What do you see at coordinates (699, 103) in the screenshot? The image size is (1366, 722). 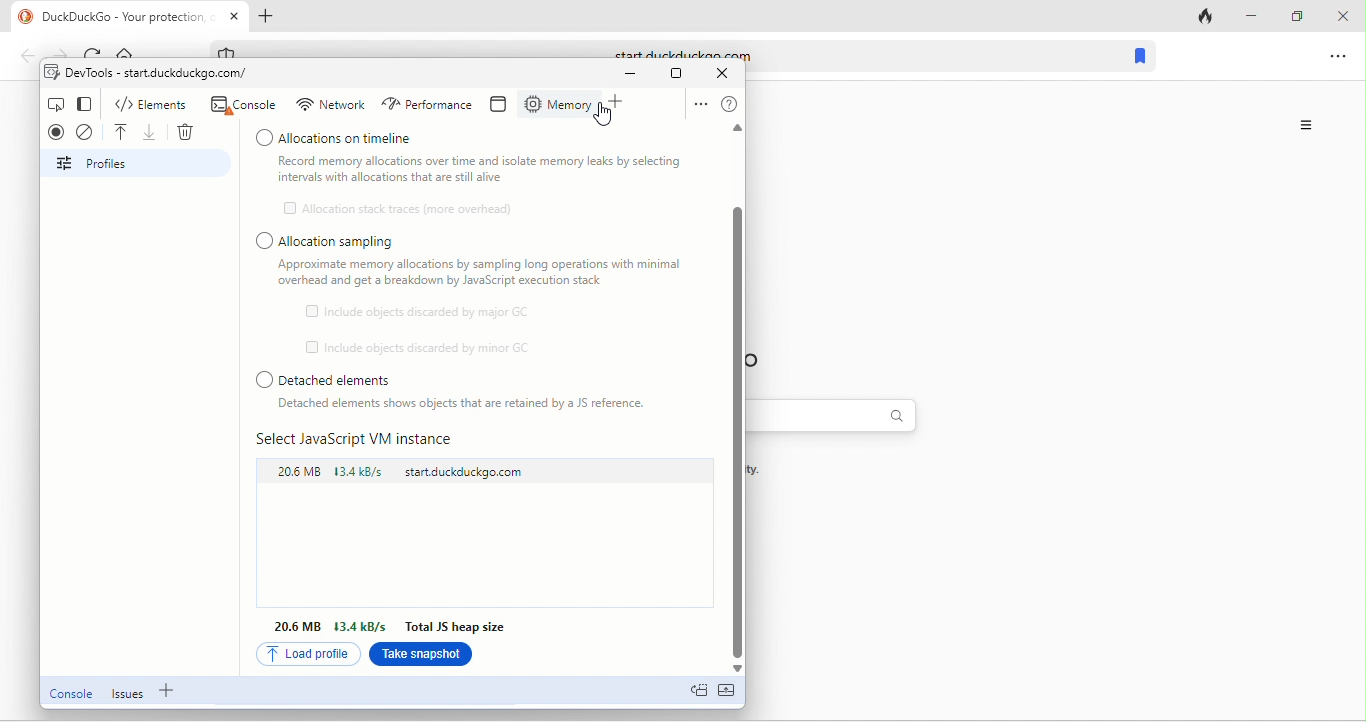 I see `option` at bounding box center [699, 103].